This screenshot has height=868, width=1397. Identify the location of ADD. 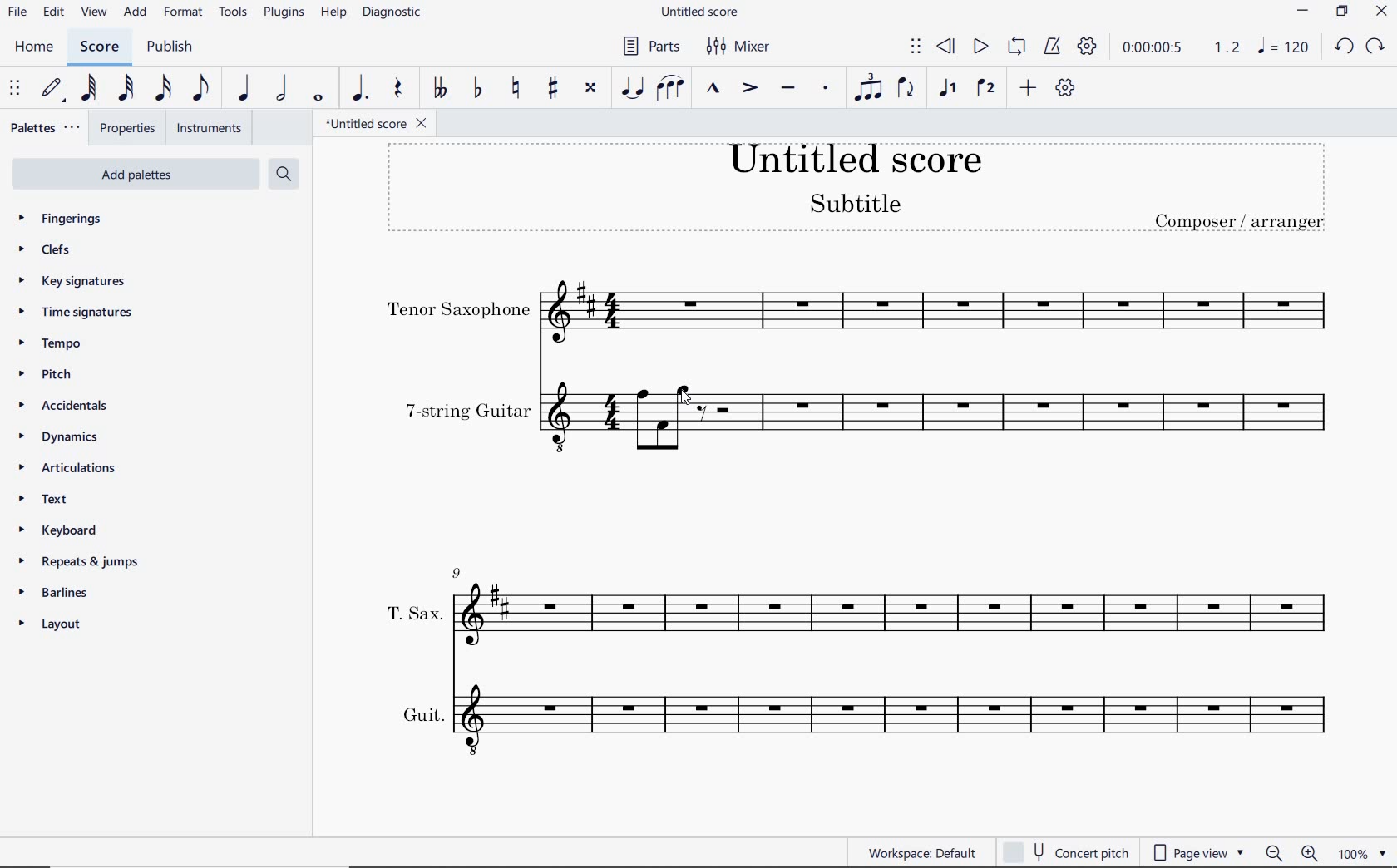
(137, 12).